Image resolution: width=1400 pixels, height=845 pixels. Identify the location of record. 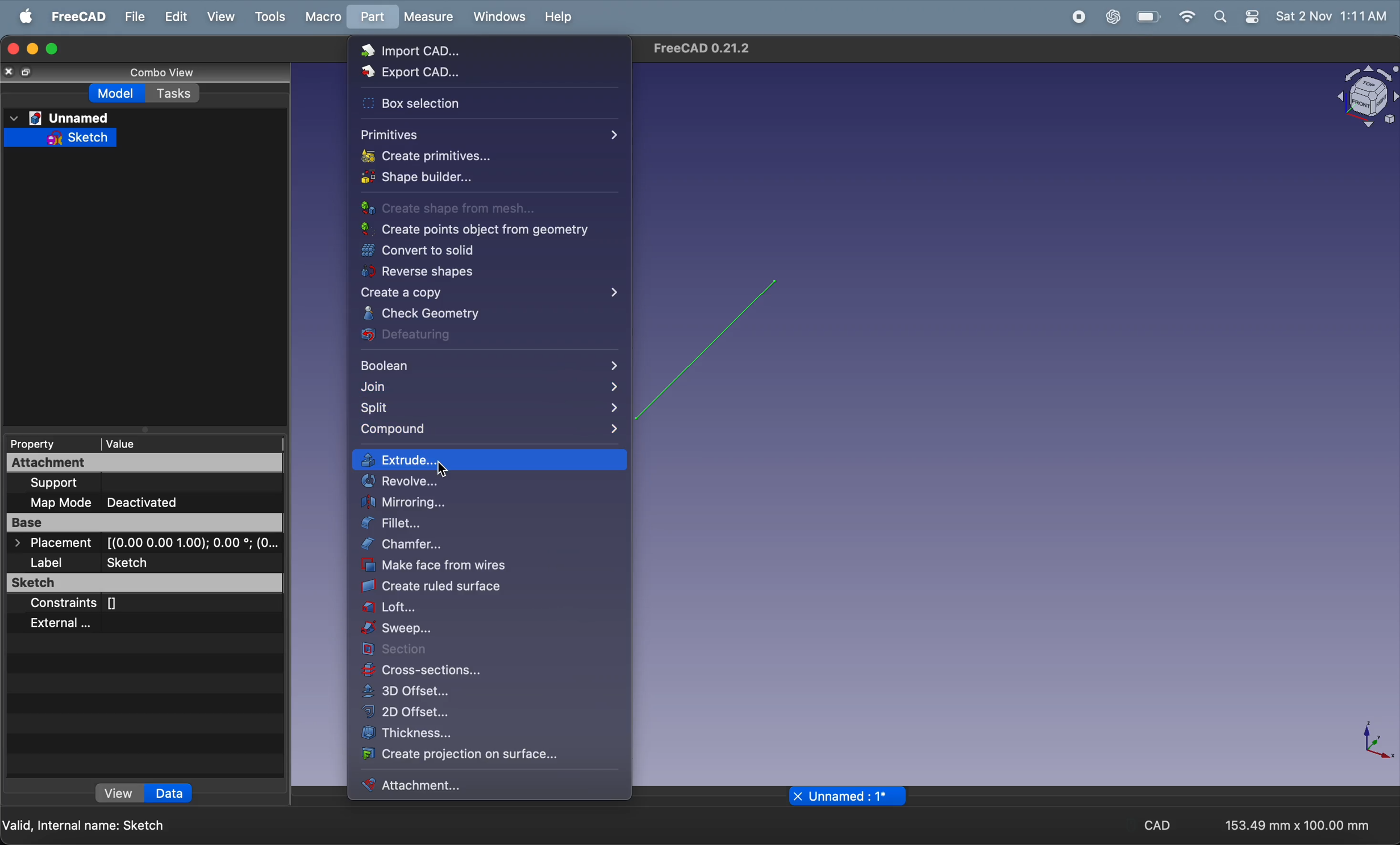
(1079, 18).